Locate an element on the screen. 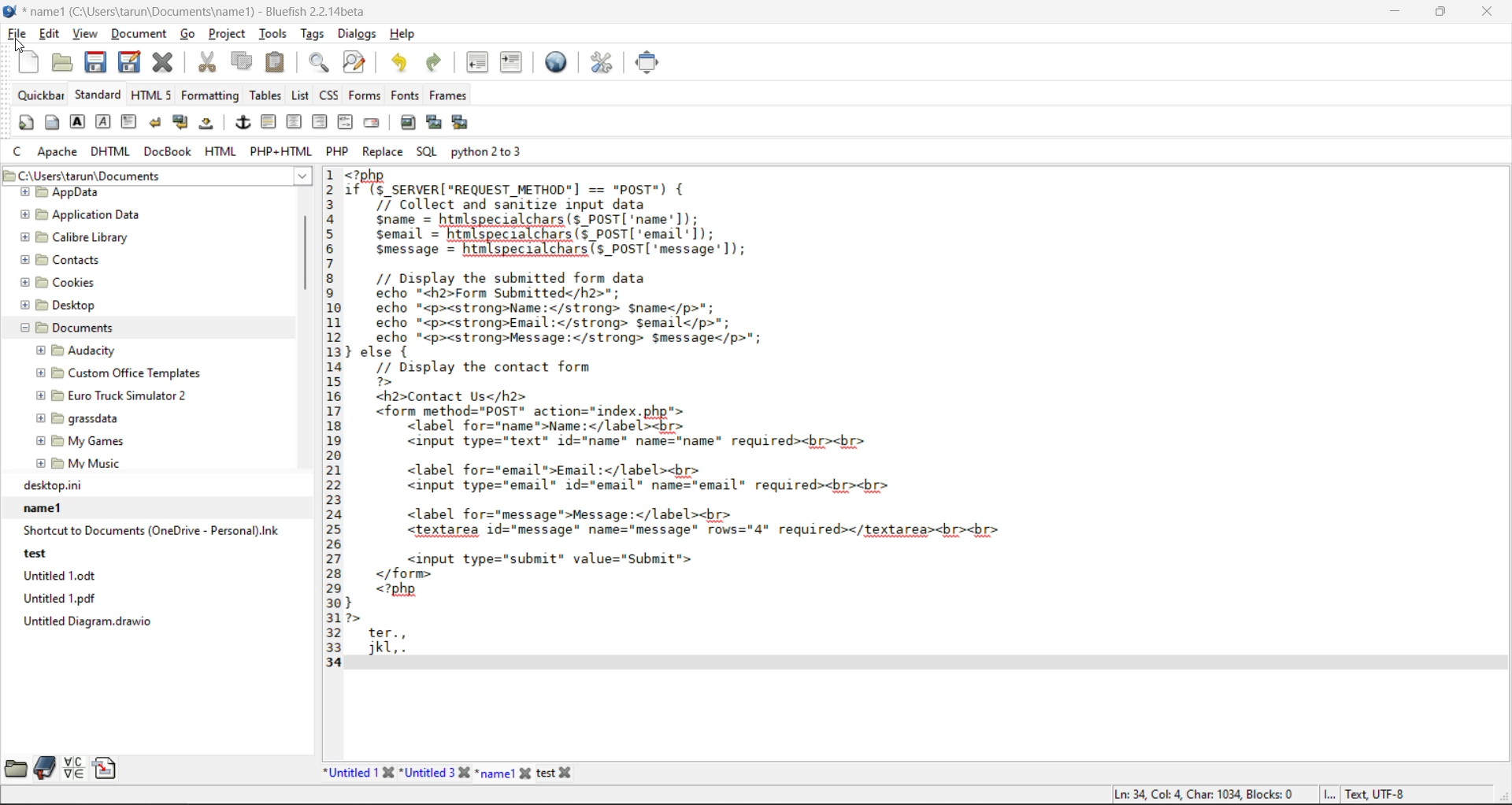  metadata is located at coordinates (1259, 793).